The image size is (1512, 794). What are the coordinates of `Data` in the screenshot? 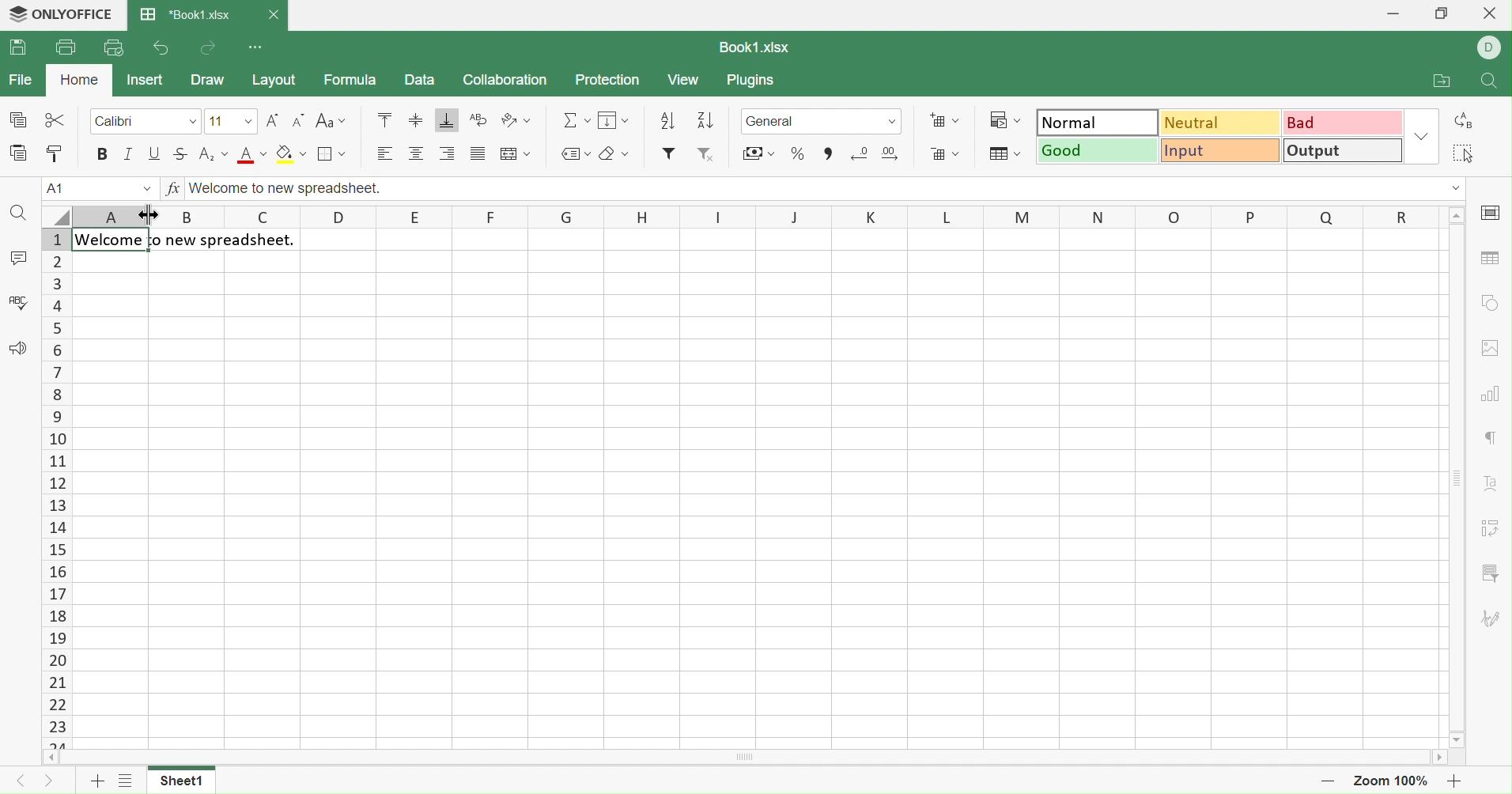 It's located at (419, 81).